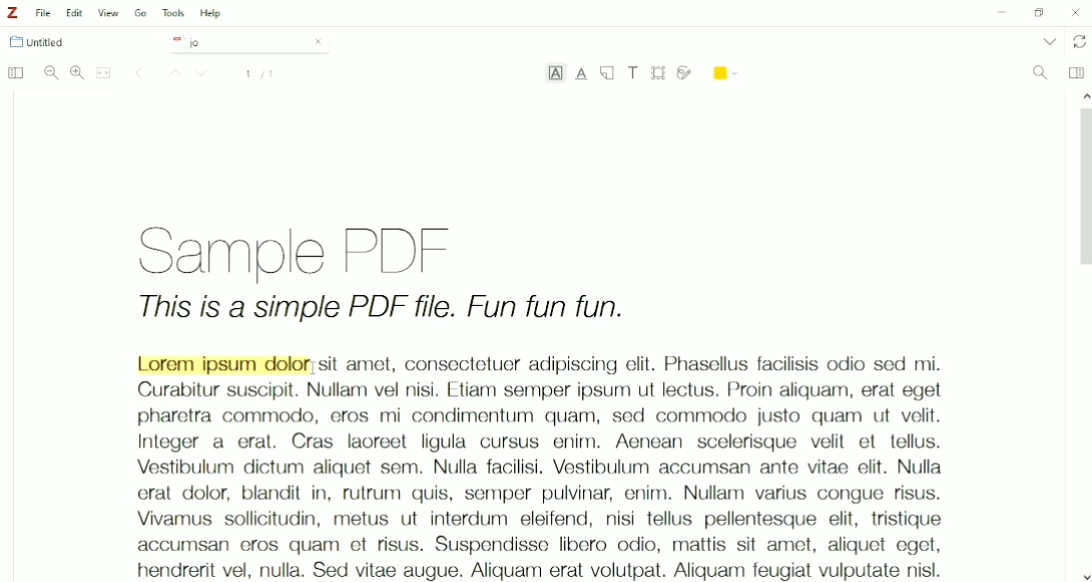  I want to click on cursor, so click(314, 368).